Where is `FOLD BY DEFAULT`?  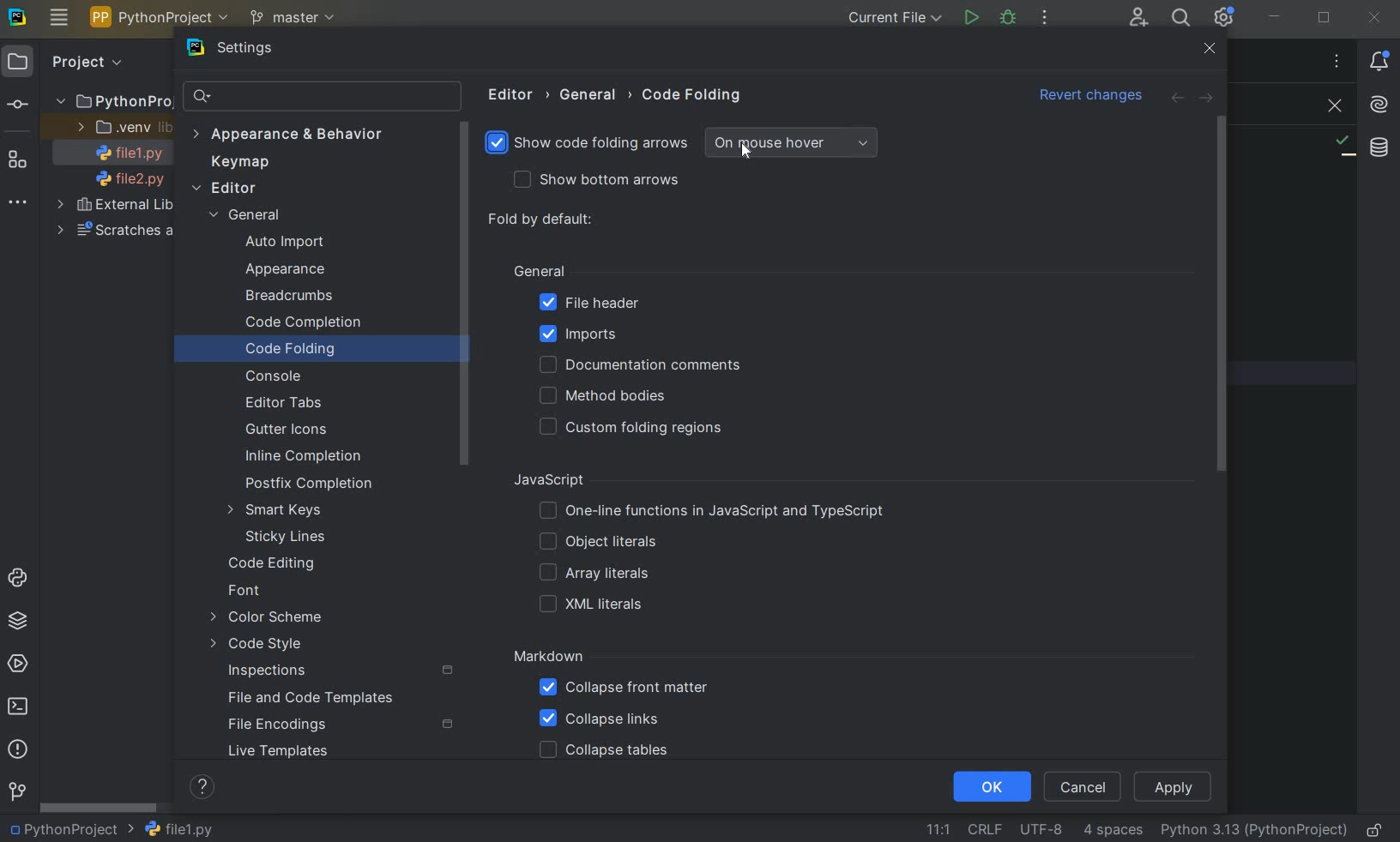 FOLD BY DEFAULT is located at coordinates (542, 220).